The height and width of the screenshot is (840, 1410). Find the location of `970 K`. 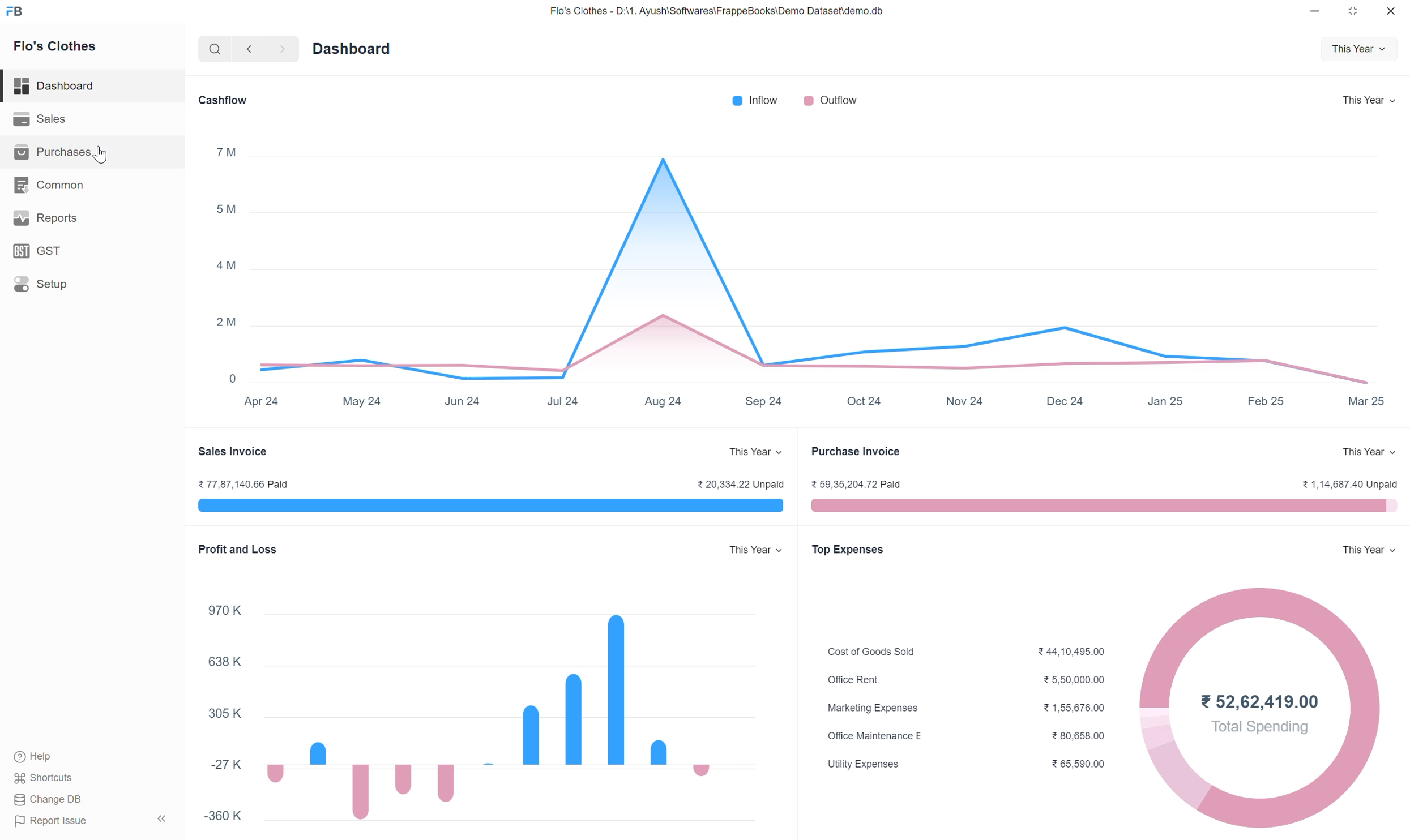

970 K is located at coordinates (224, 611).